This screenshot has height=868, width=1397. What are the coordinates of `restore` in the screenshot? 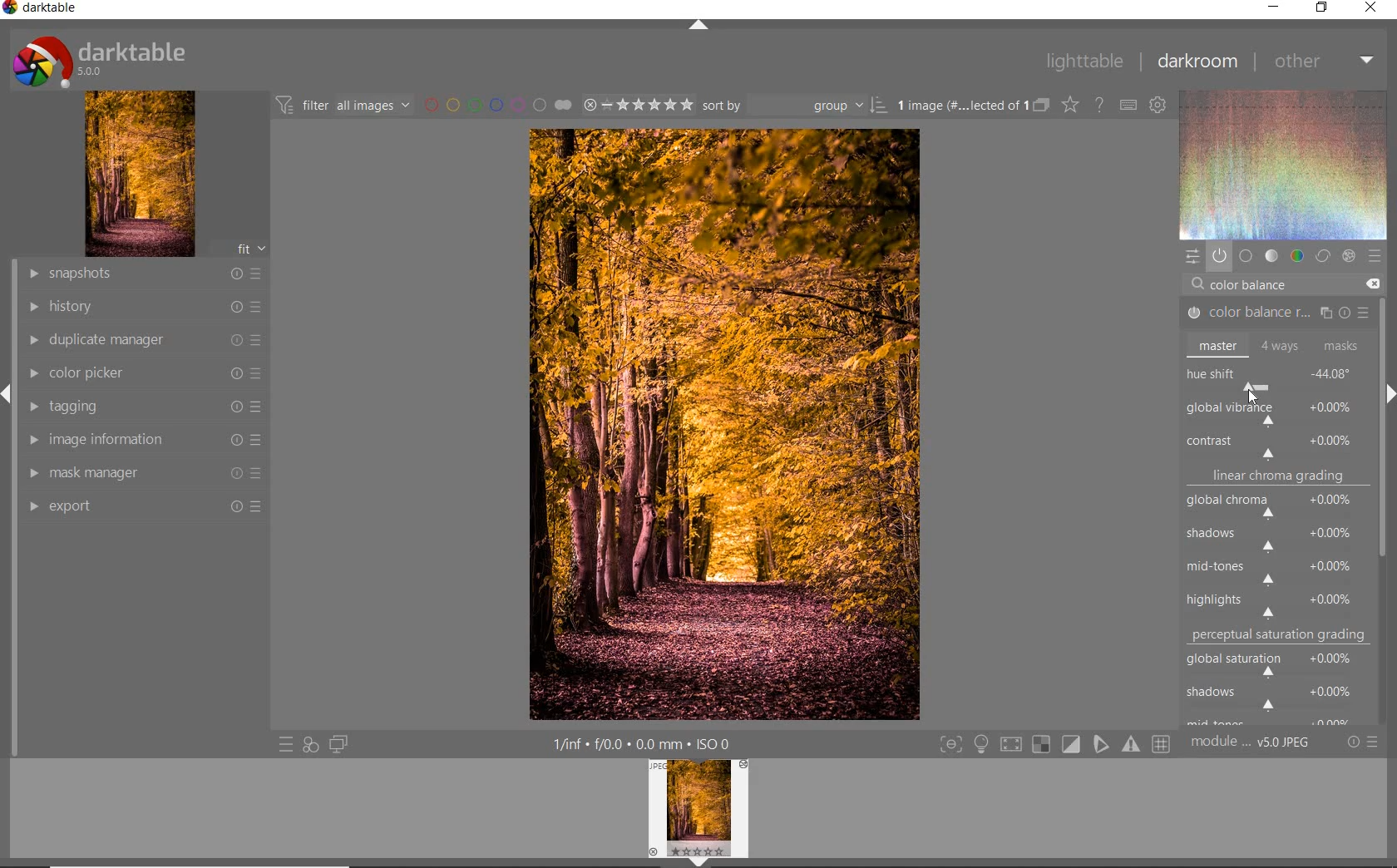 It's located at (1320, 9).